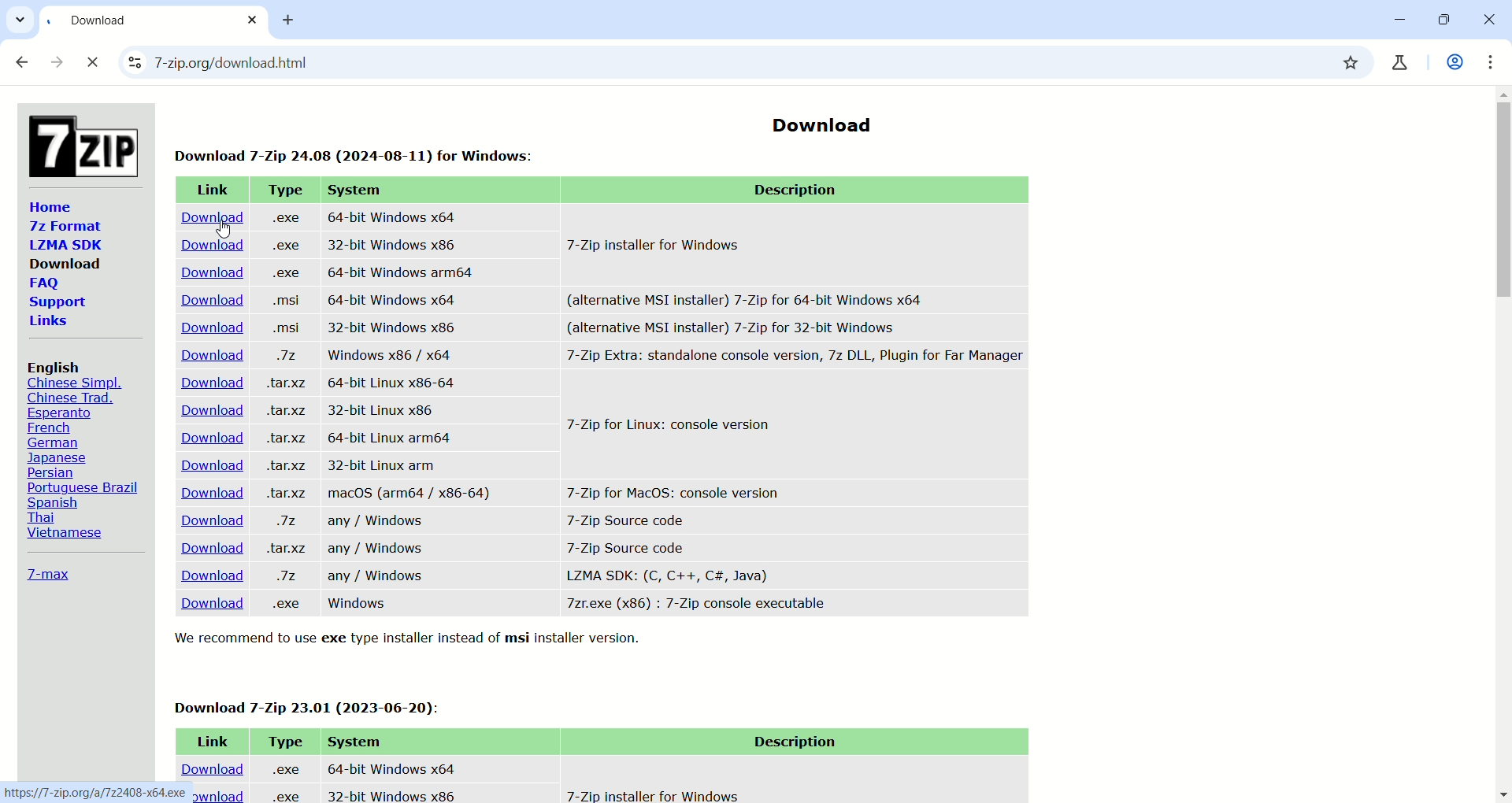 The image size is (1512, 803). What do you see at coordinates (55, 472) in the screenshot?
I see `Persian` at bounding box center [55, 472].